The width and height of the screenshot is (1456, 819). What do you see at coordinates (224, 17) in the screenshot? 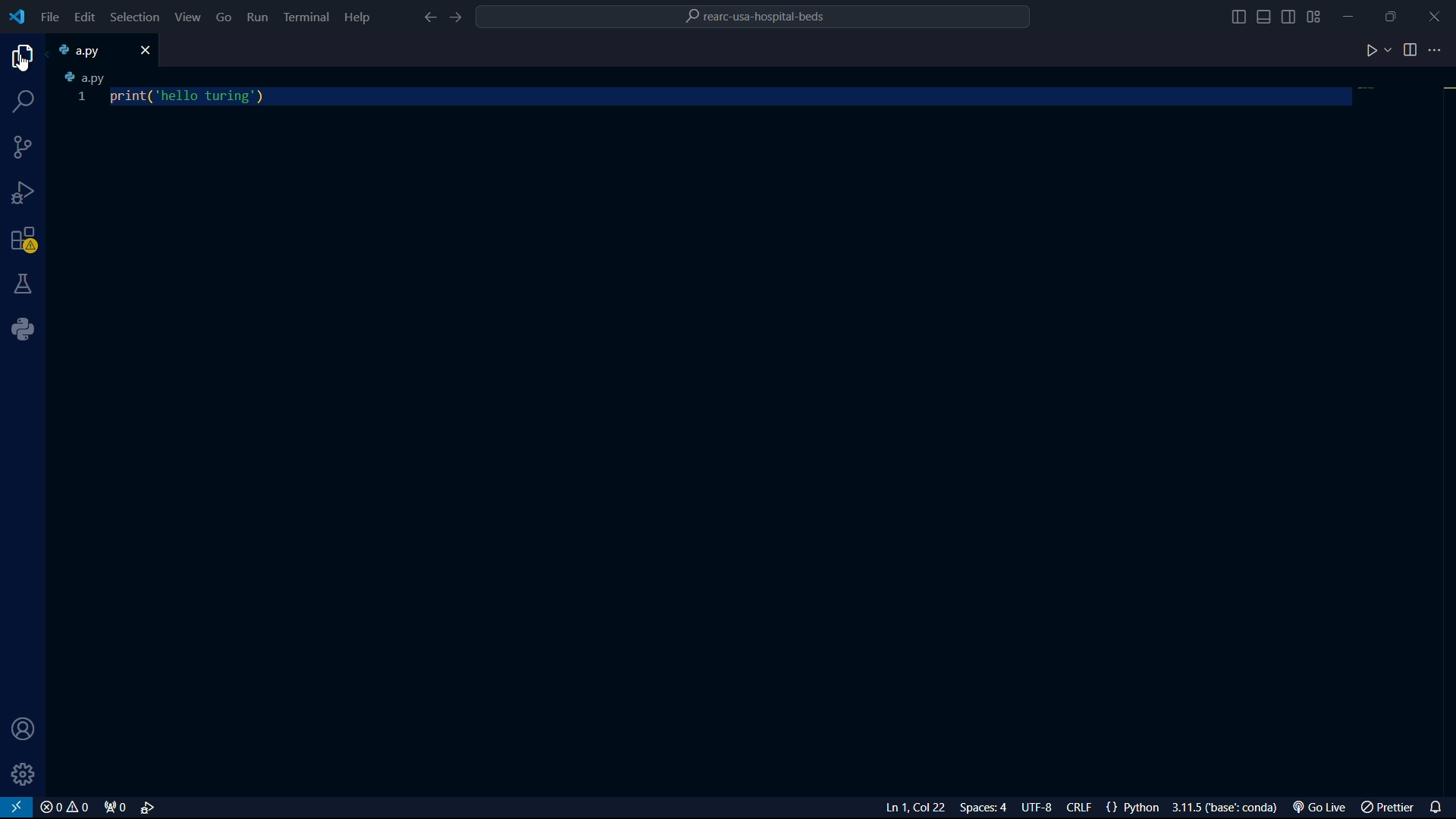
I see `go menu` at bounding box center [224, 17].